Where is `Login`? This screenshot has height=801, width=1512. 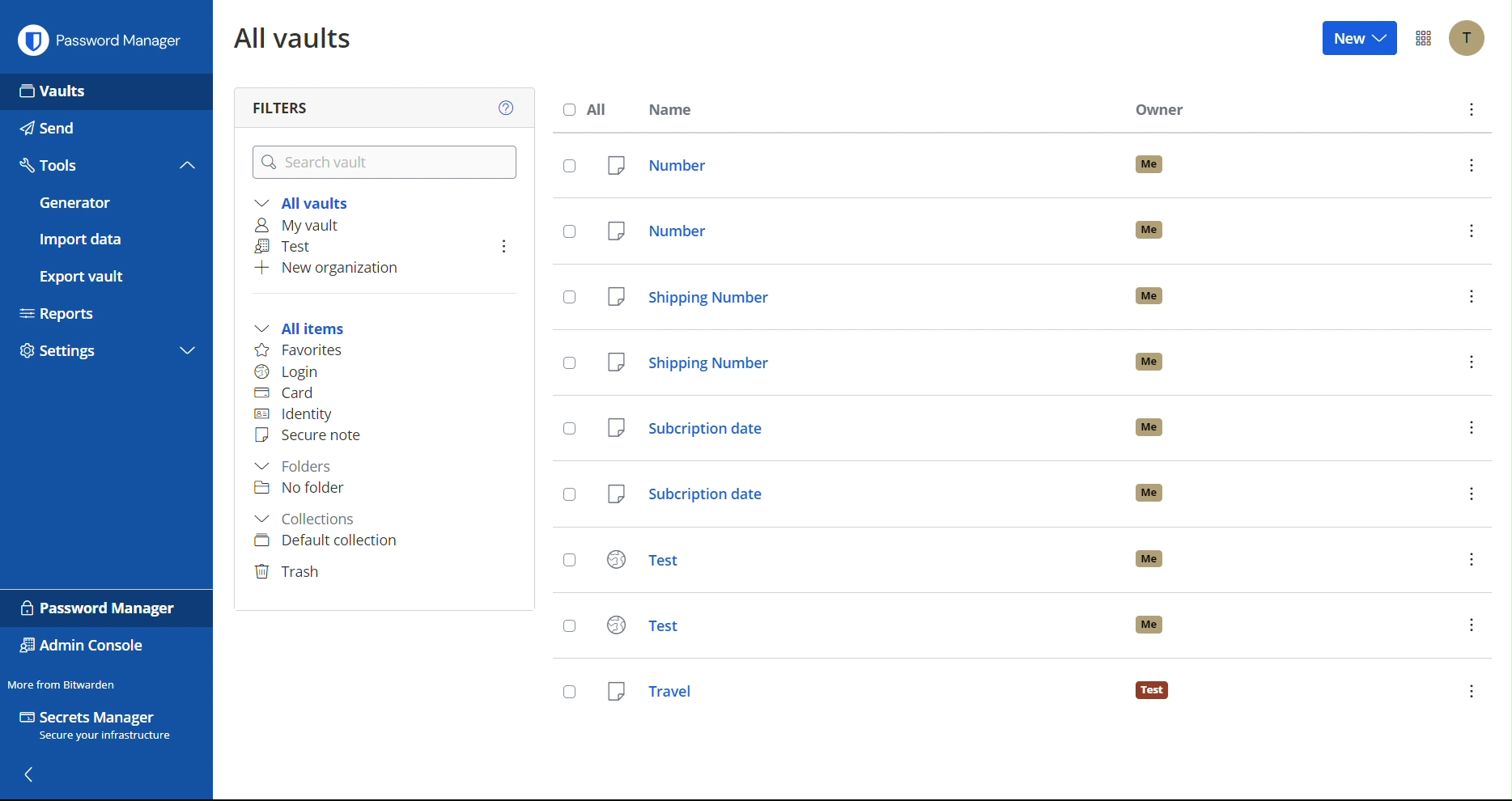
Login is located at coordinates (290, 372).